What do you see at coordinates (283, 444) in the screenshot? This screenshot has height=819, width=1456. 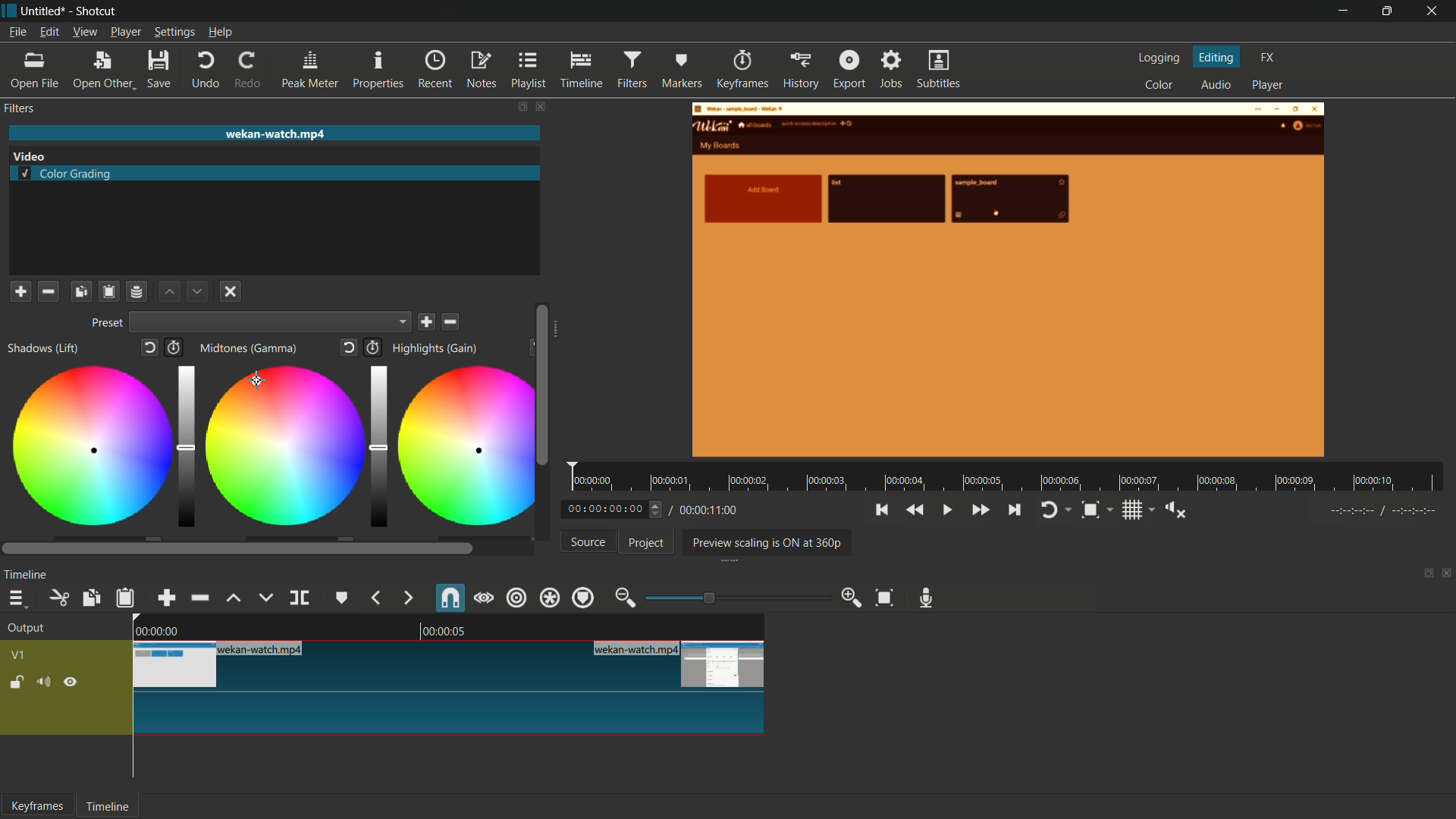 I see `color adjustment` at bounding box center [283, 444].